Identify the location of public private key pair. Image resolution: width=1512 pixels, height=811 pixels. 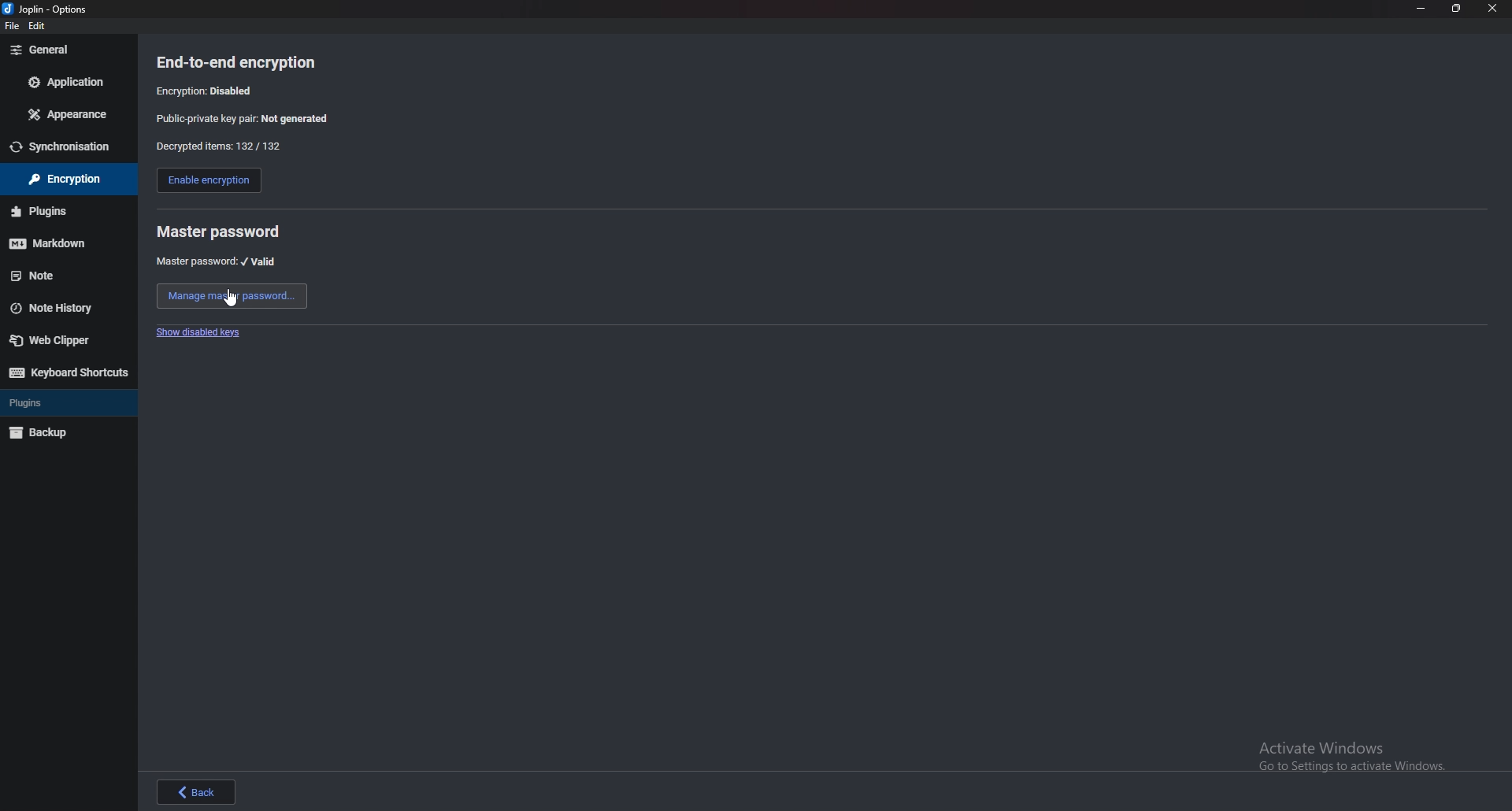
(254, 118).